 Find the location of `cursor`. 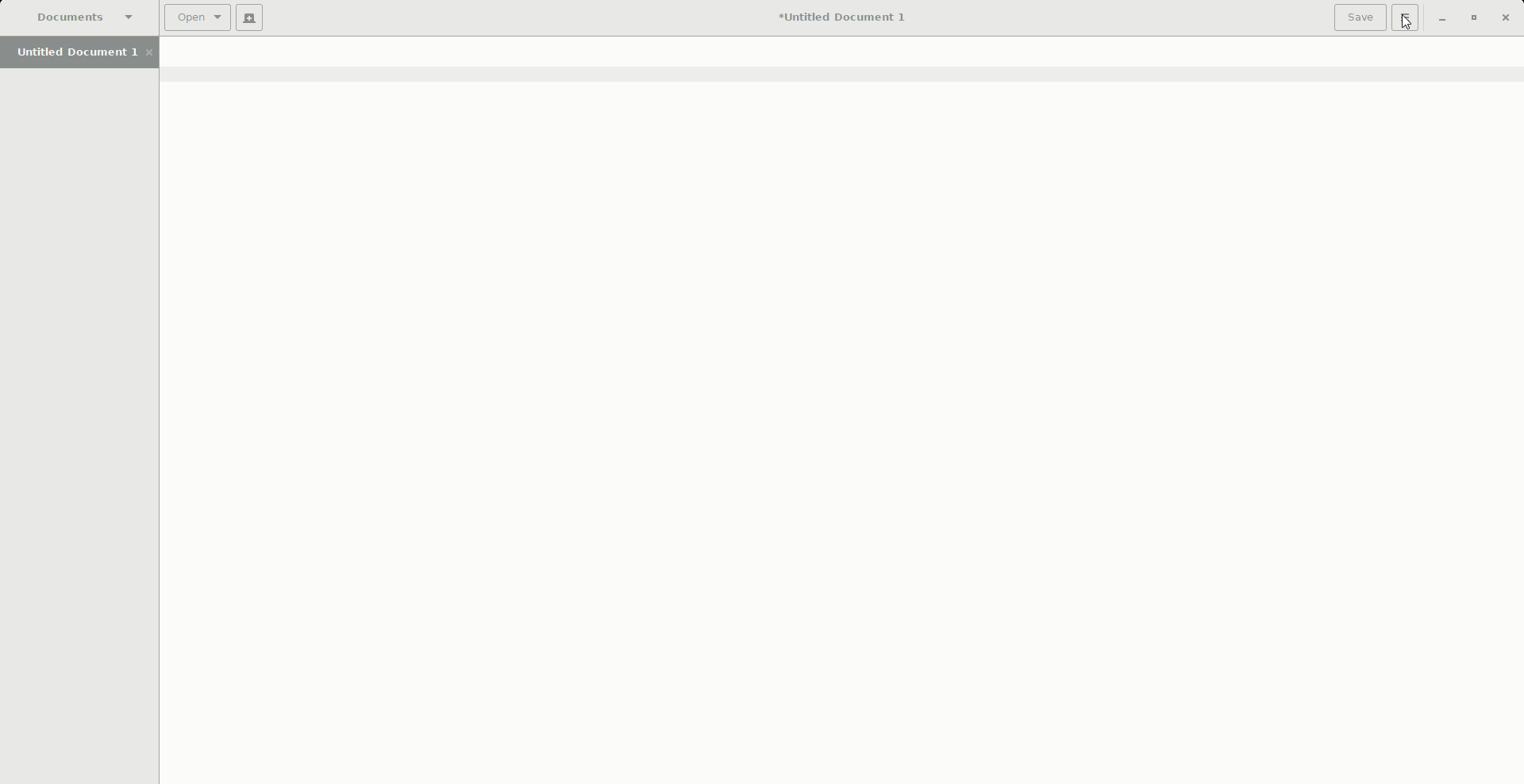

cursor is located at coordinates (1408, 29).